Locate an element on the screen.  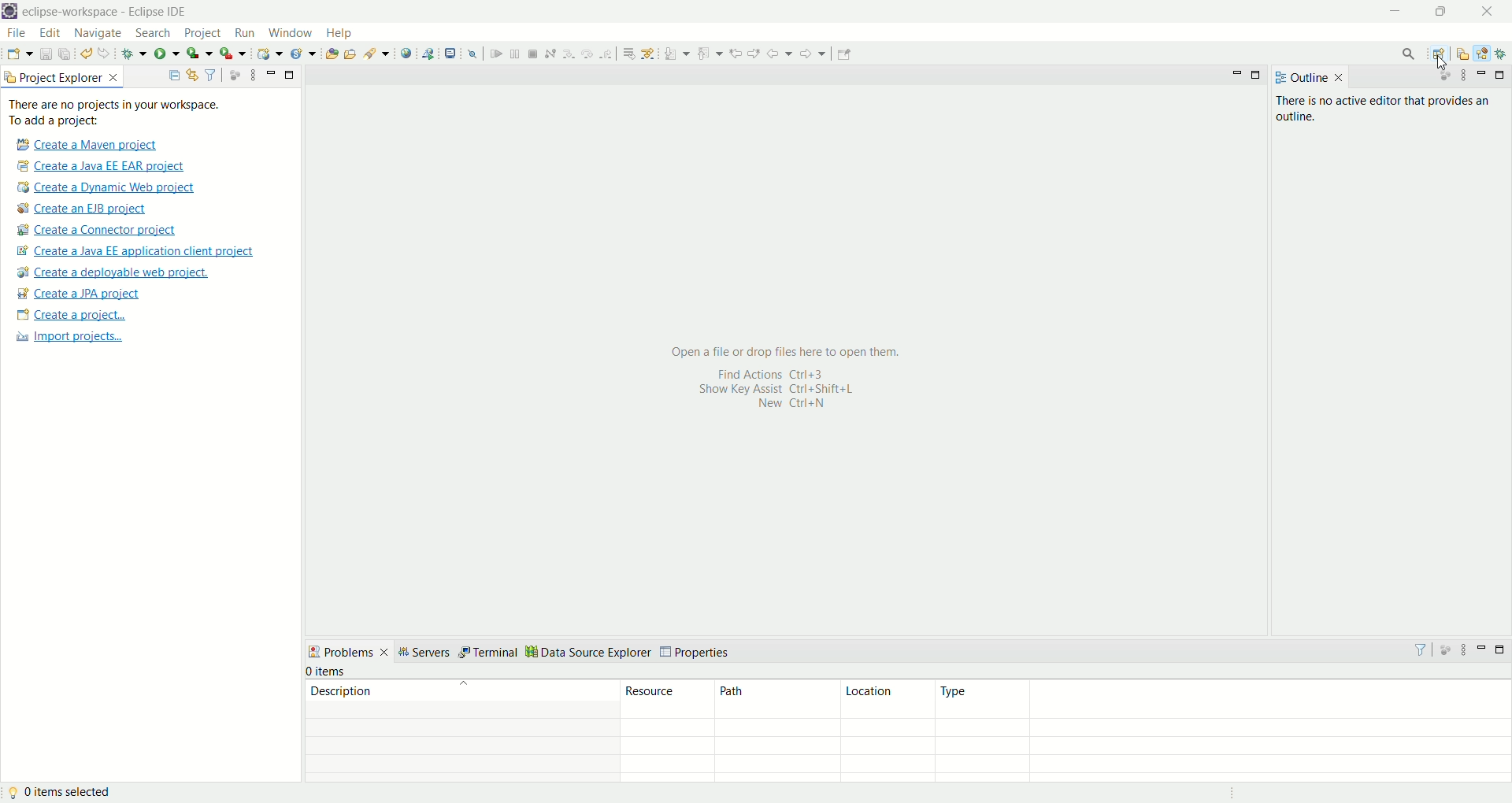
coverage is located at coordinates (198, 54).